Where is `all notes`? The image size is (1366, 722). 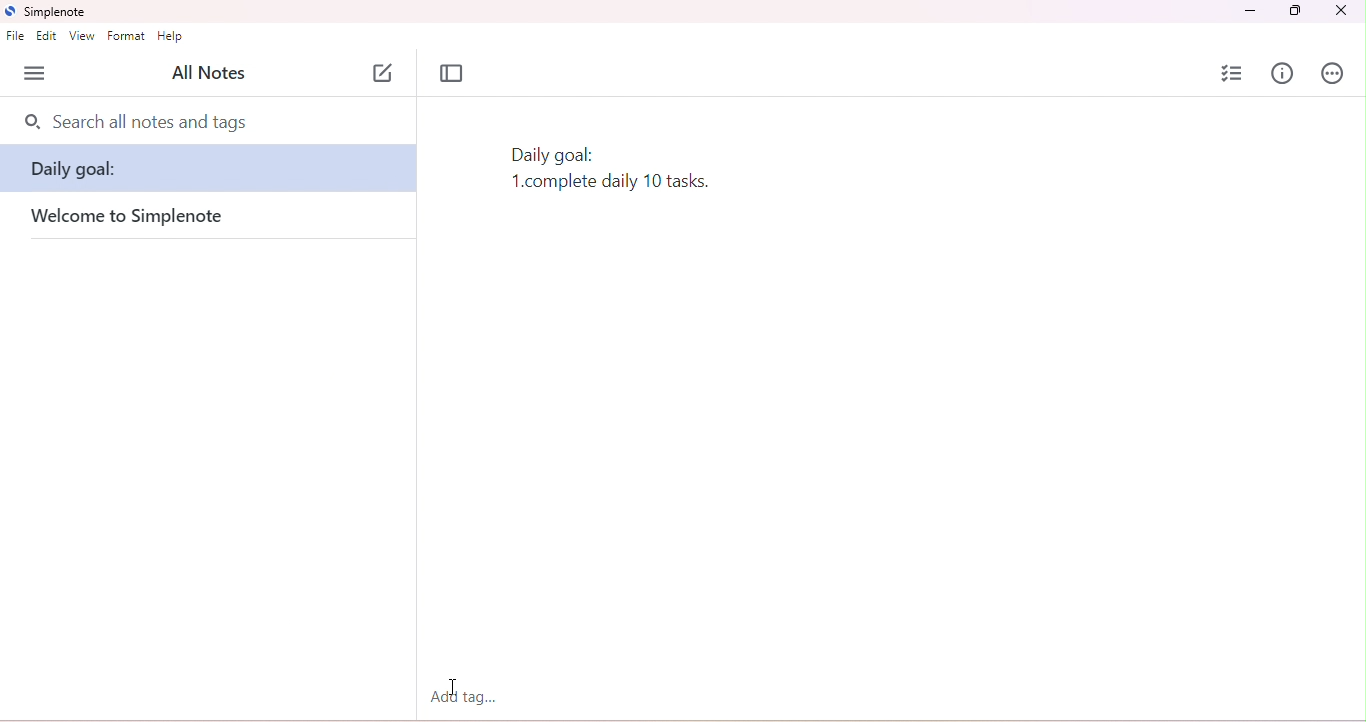
all notes is located at coordinates (208, 72).